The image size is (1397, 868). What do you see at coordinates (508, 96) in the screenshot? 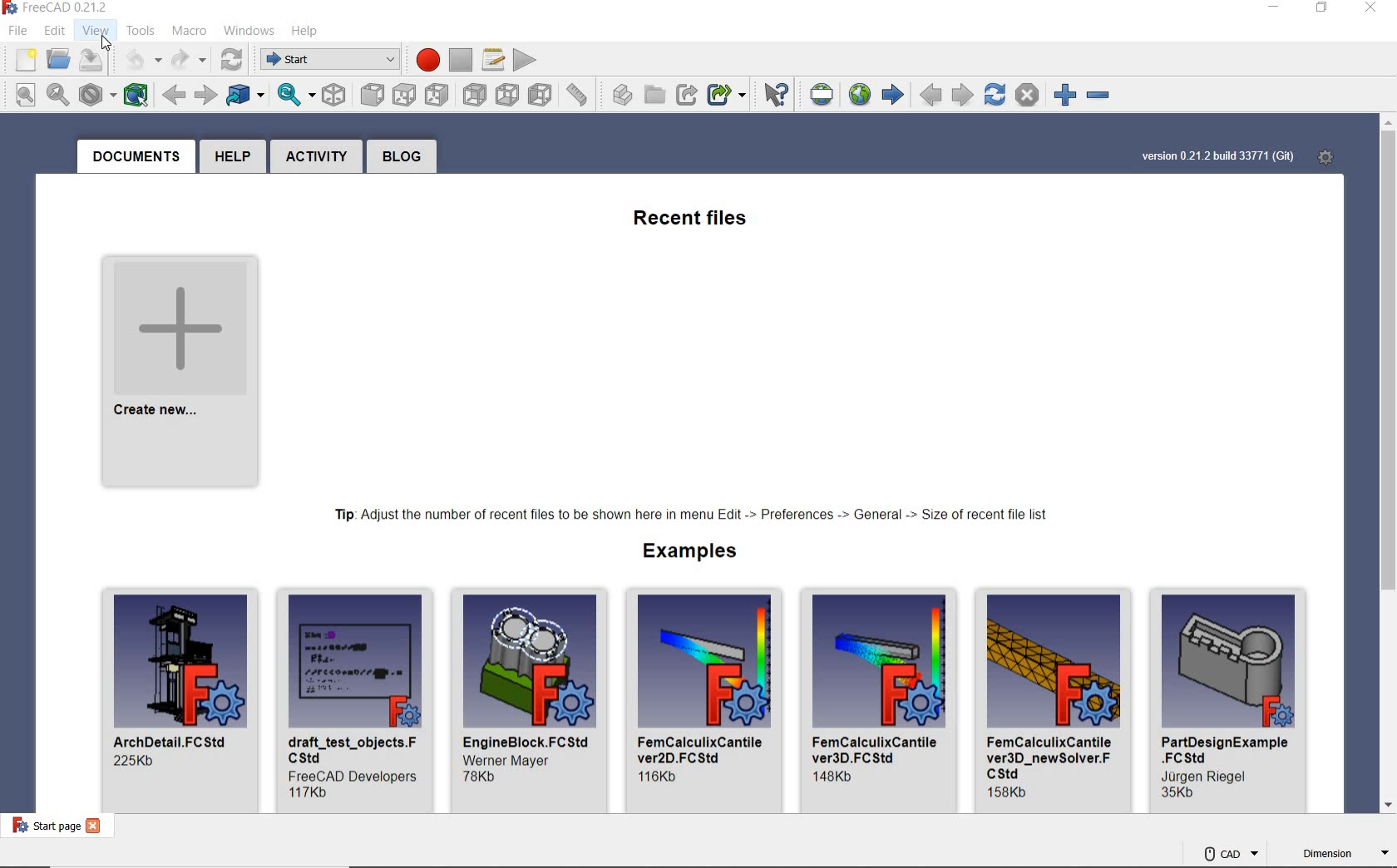
I see `bottom` at bounding box center [508, 96].